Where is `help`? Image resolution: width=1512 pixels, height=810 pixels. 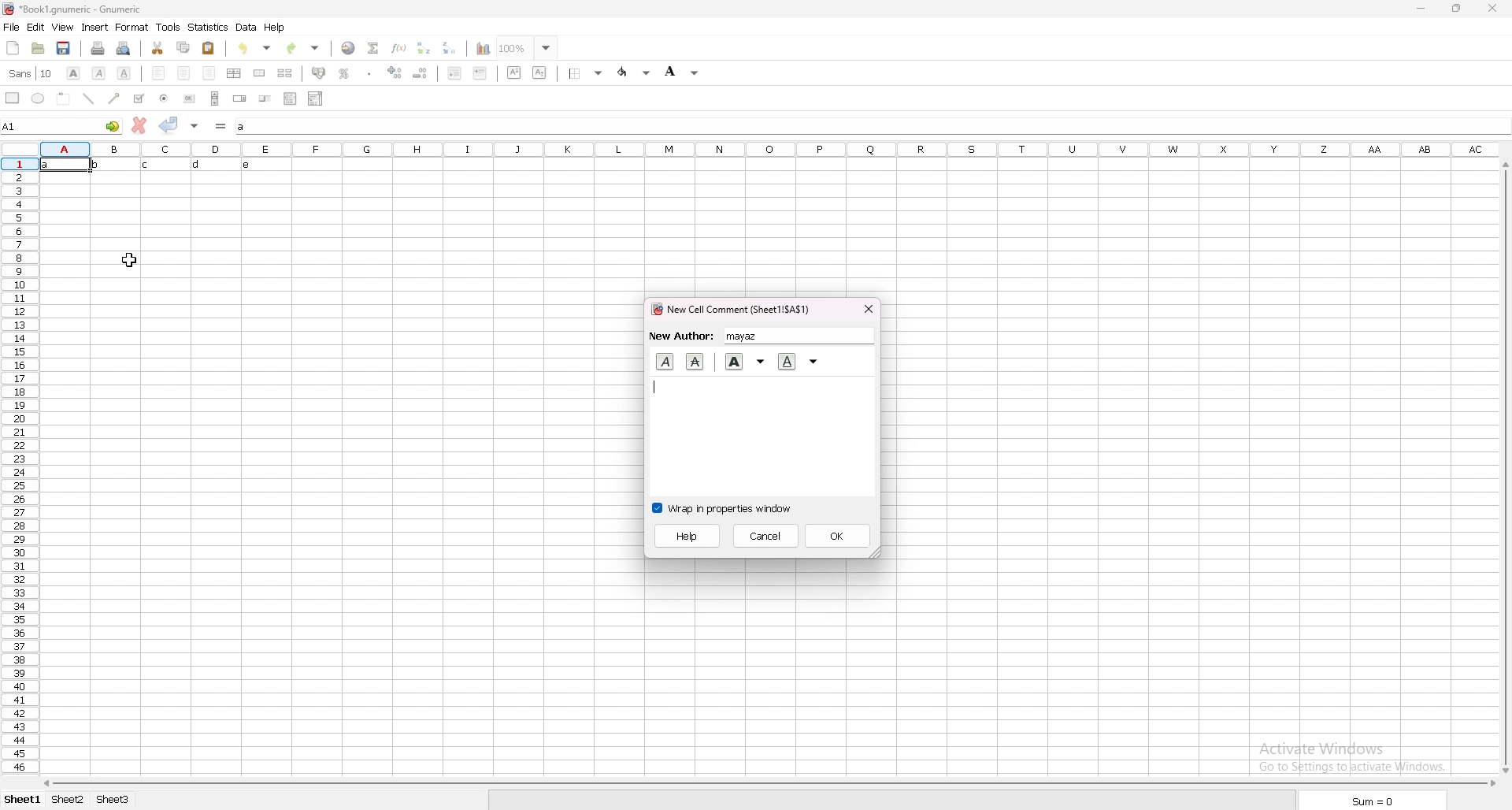
help is located at coordinates (689, 536).